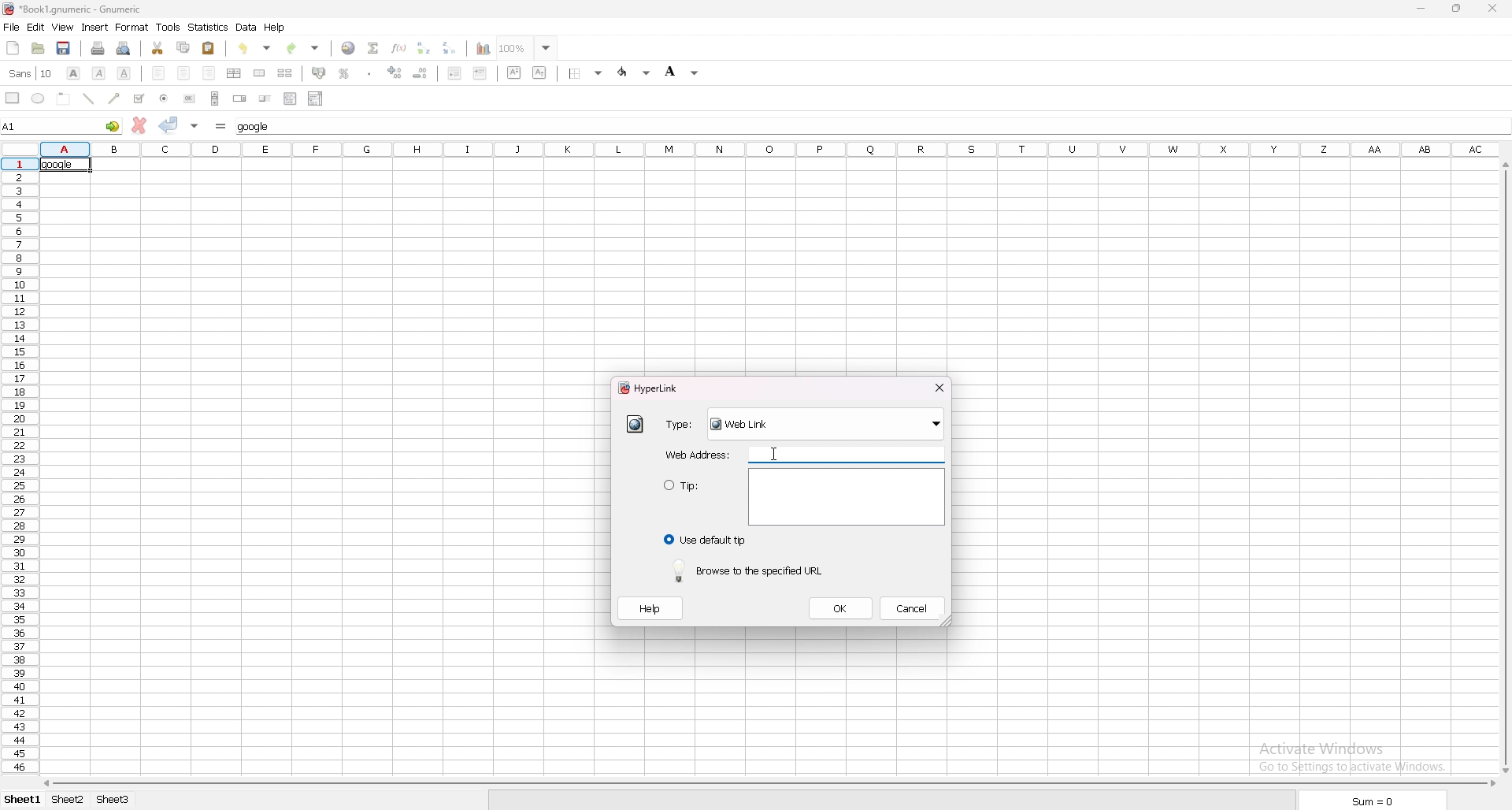 The image size is (1512, 810). What do you see at coordinates (22, 801) in the screenshot?
I see `Sheet 1` at bounding box center [22, 801].